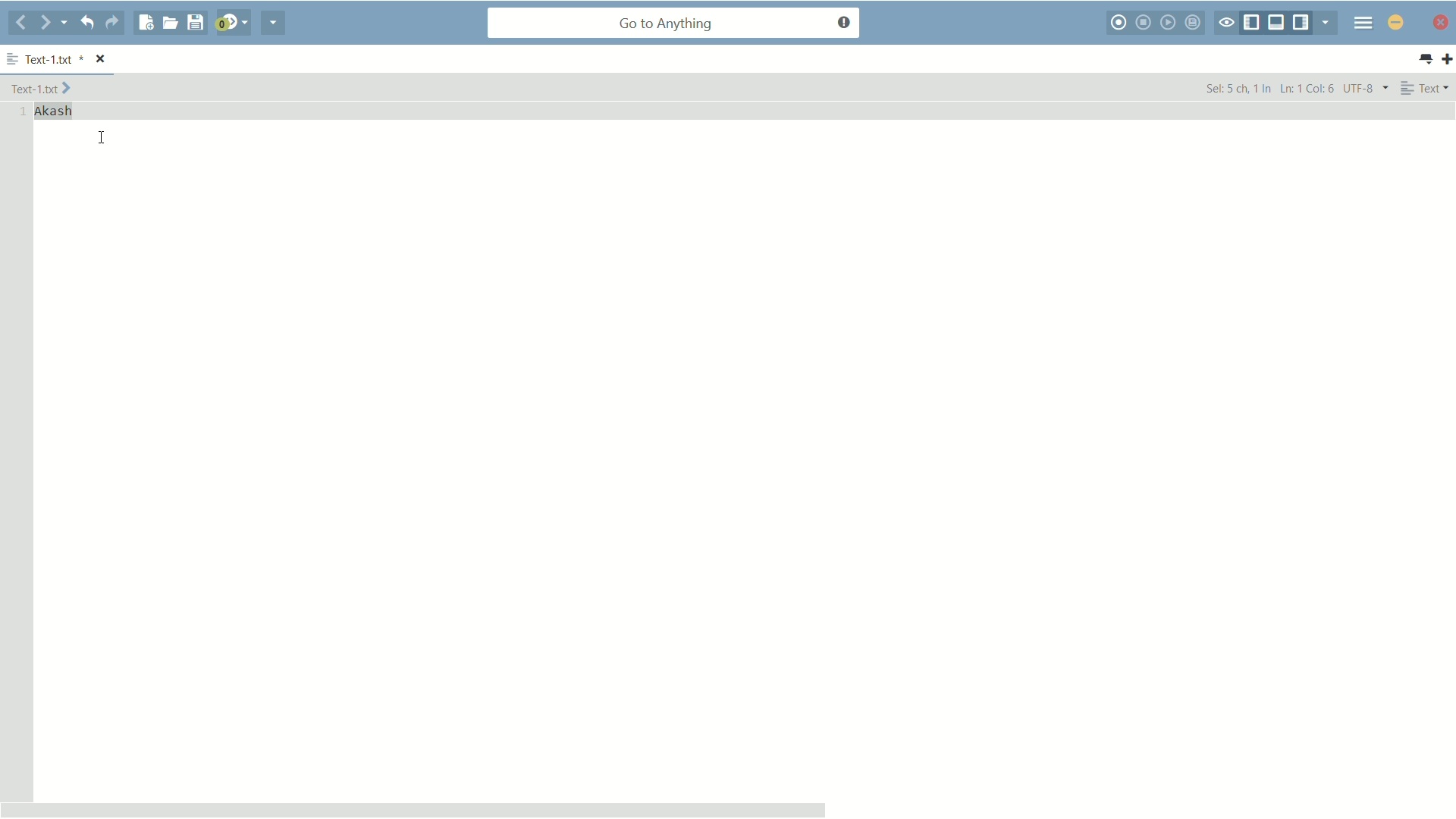  What do you see at coordinates (1277, 23) in the screenshot?
I see `hide/show bottom panel` at bounding box center [1277, 23].